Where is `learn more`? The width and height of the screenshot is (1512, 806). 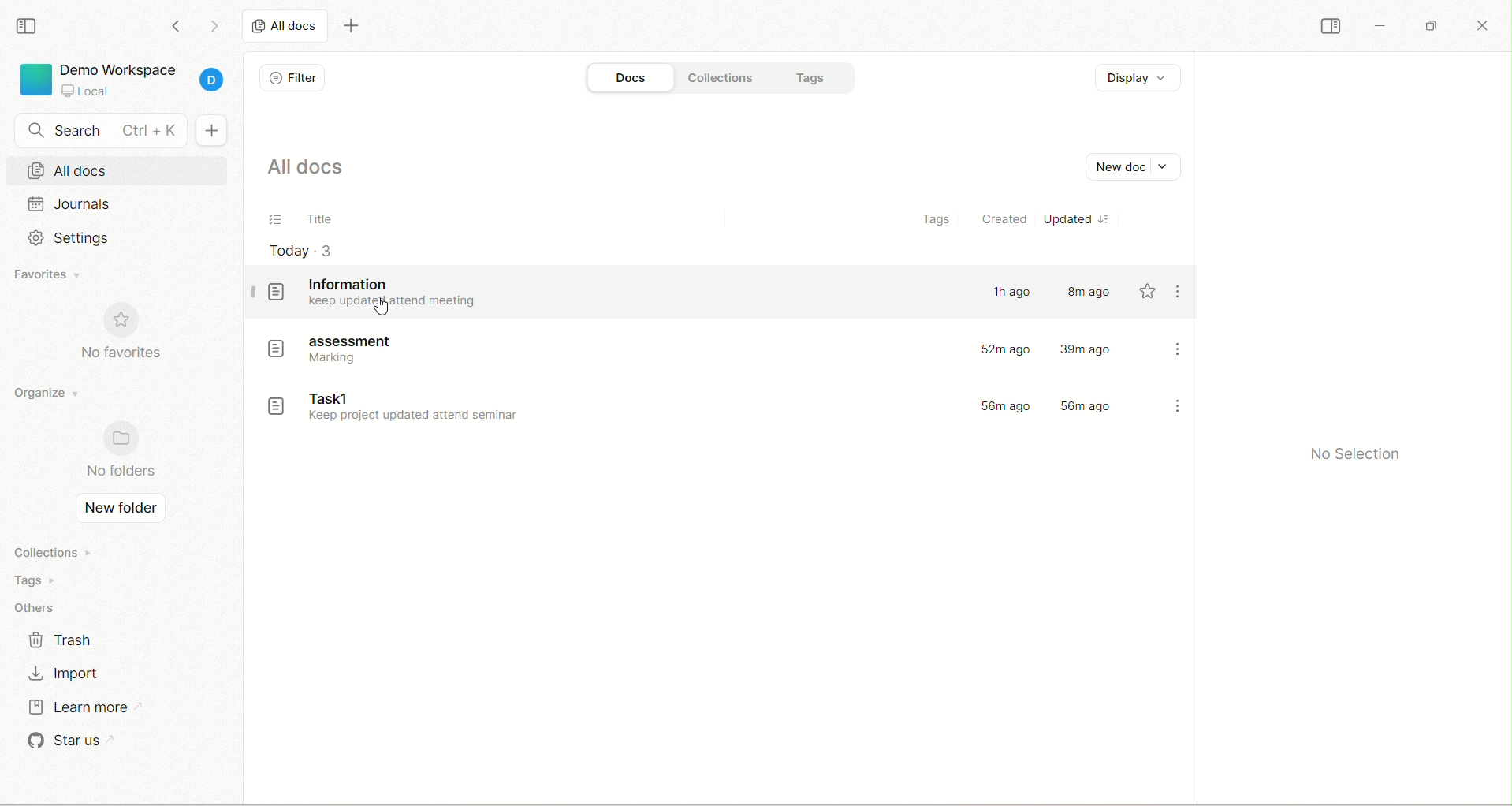 learn more is located at coordinates (77, 711).